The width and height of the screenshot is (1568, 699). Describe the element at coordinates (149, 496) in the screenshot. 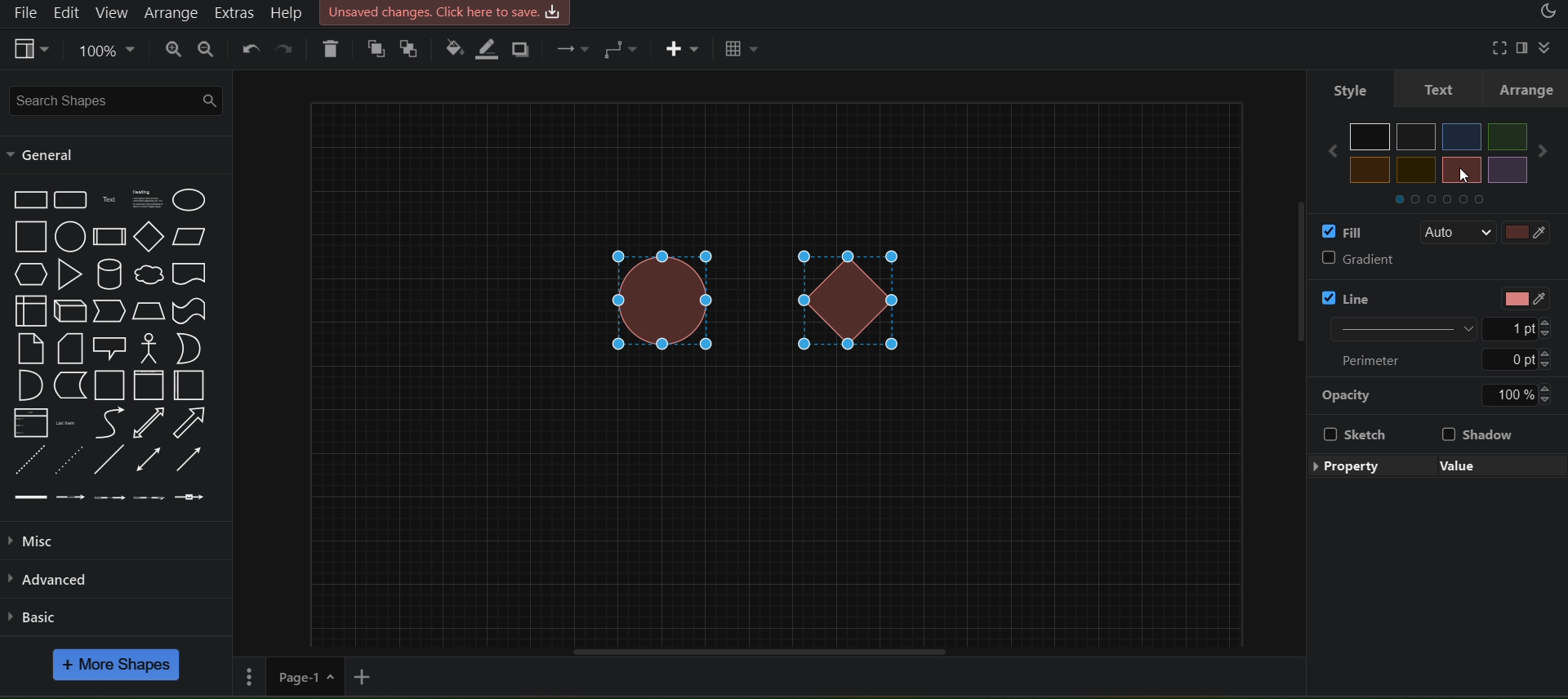

I see `Connector with 3 labels` at that location.